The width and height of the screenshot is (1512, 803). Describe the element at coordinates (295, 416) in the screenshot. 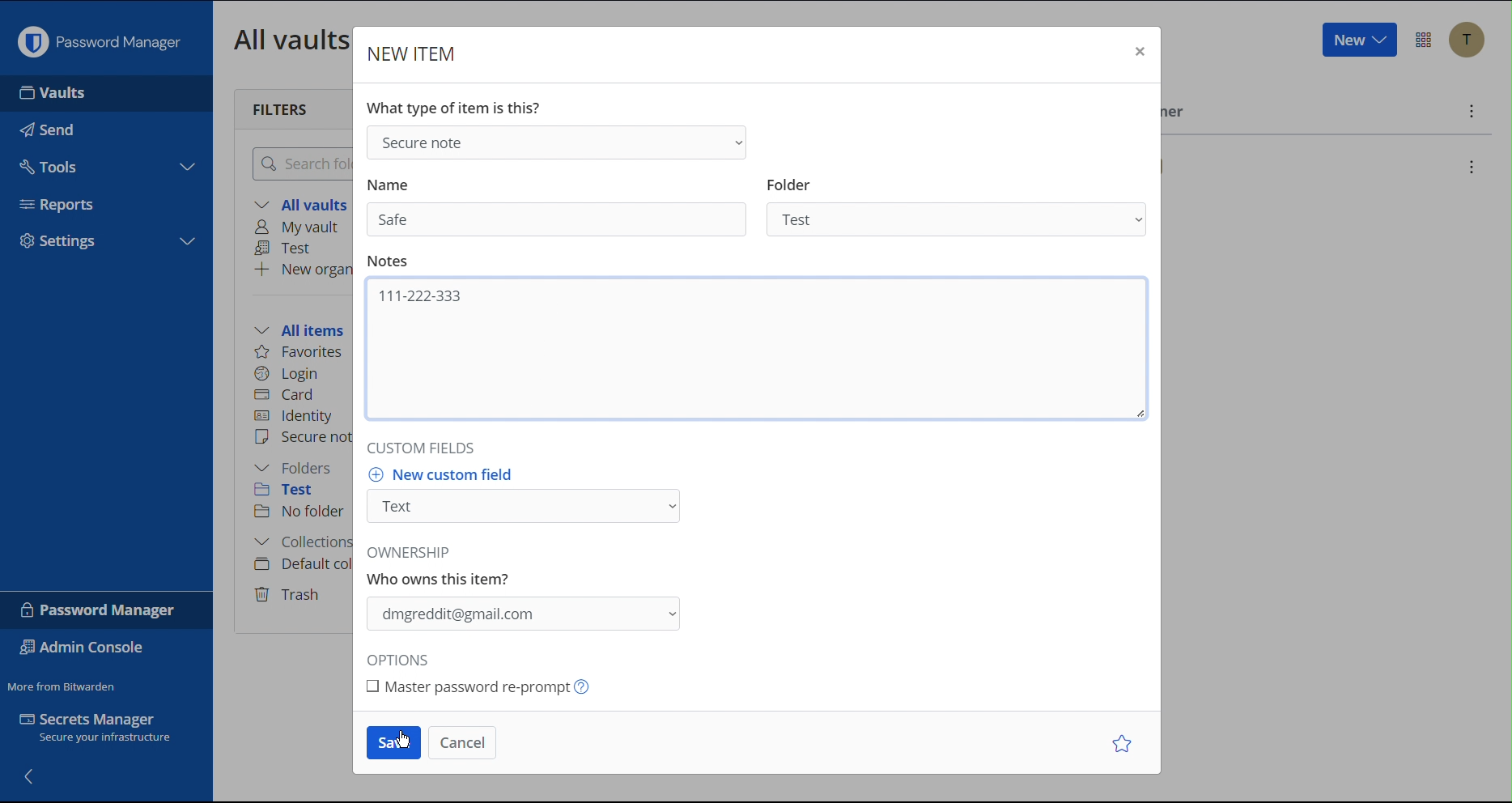

I see `Identity` at that location.